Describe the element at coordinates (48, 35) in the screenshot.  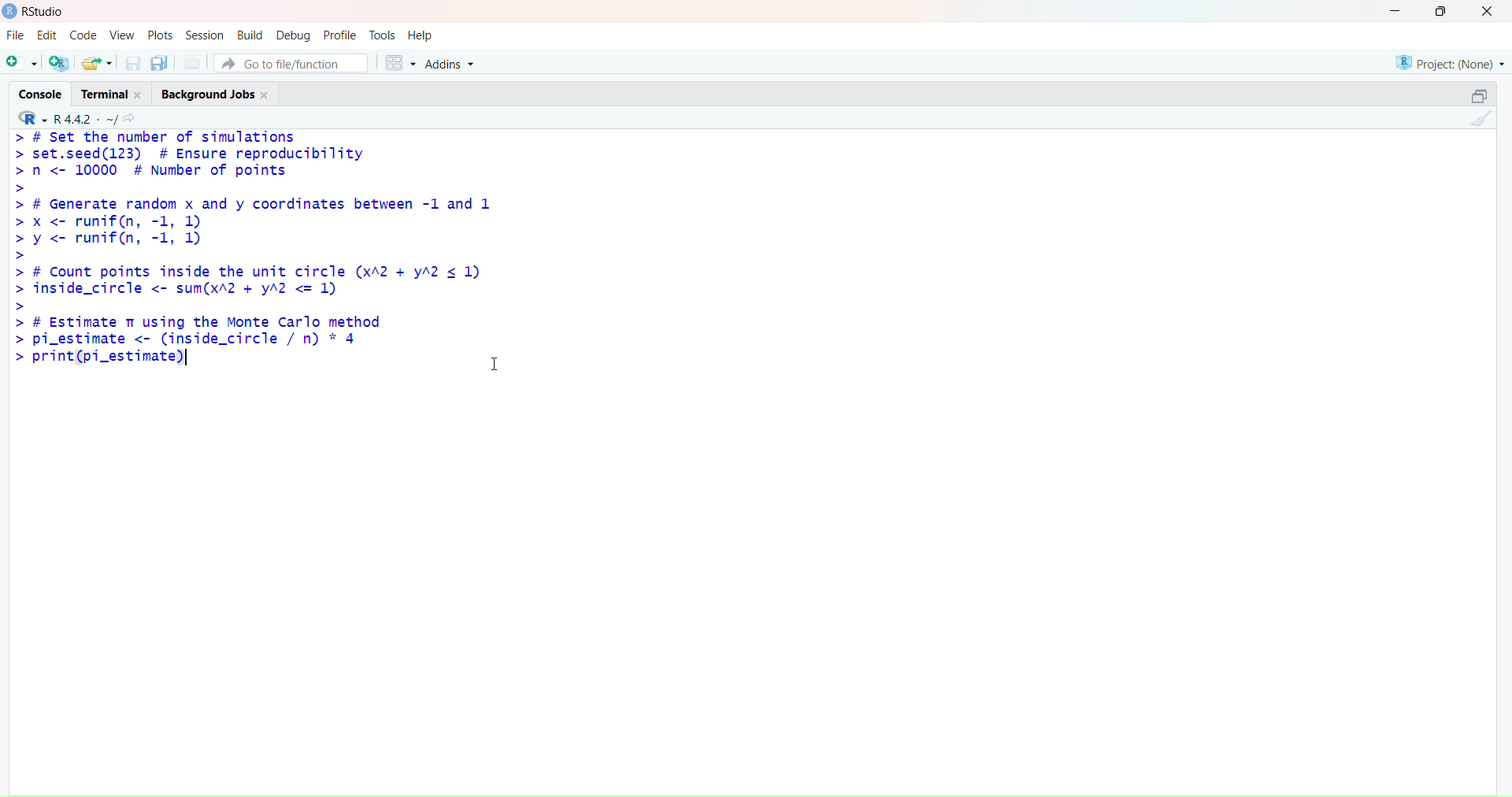
I see `Edit` at that location.